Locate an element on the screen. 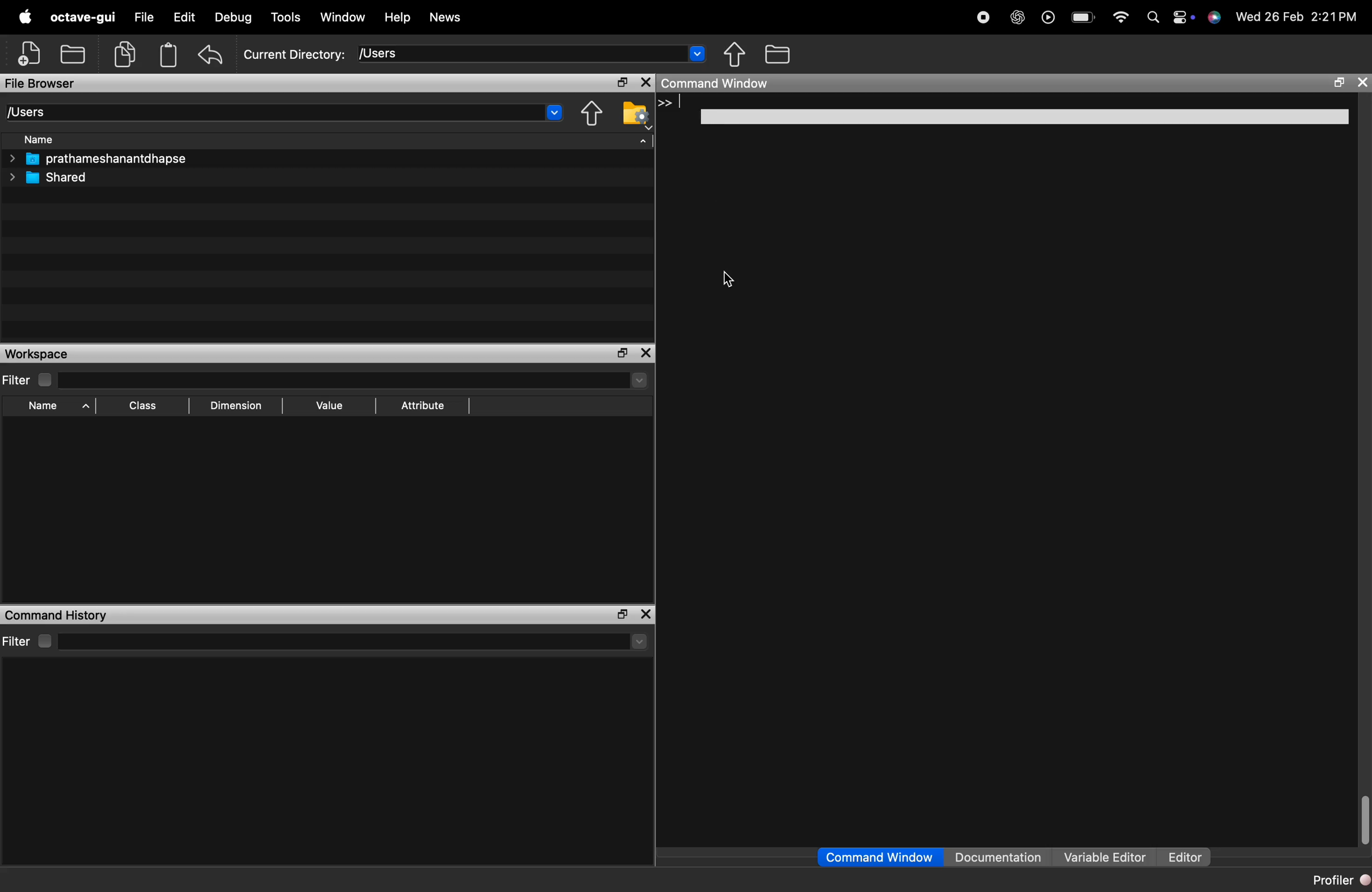  >> | is located at coordinates (673, 103).